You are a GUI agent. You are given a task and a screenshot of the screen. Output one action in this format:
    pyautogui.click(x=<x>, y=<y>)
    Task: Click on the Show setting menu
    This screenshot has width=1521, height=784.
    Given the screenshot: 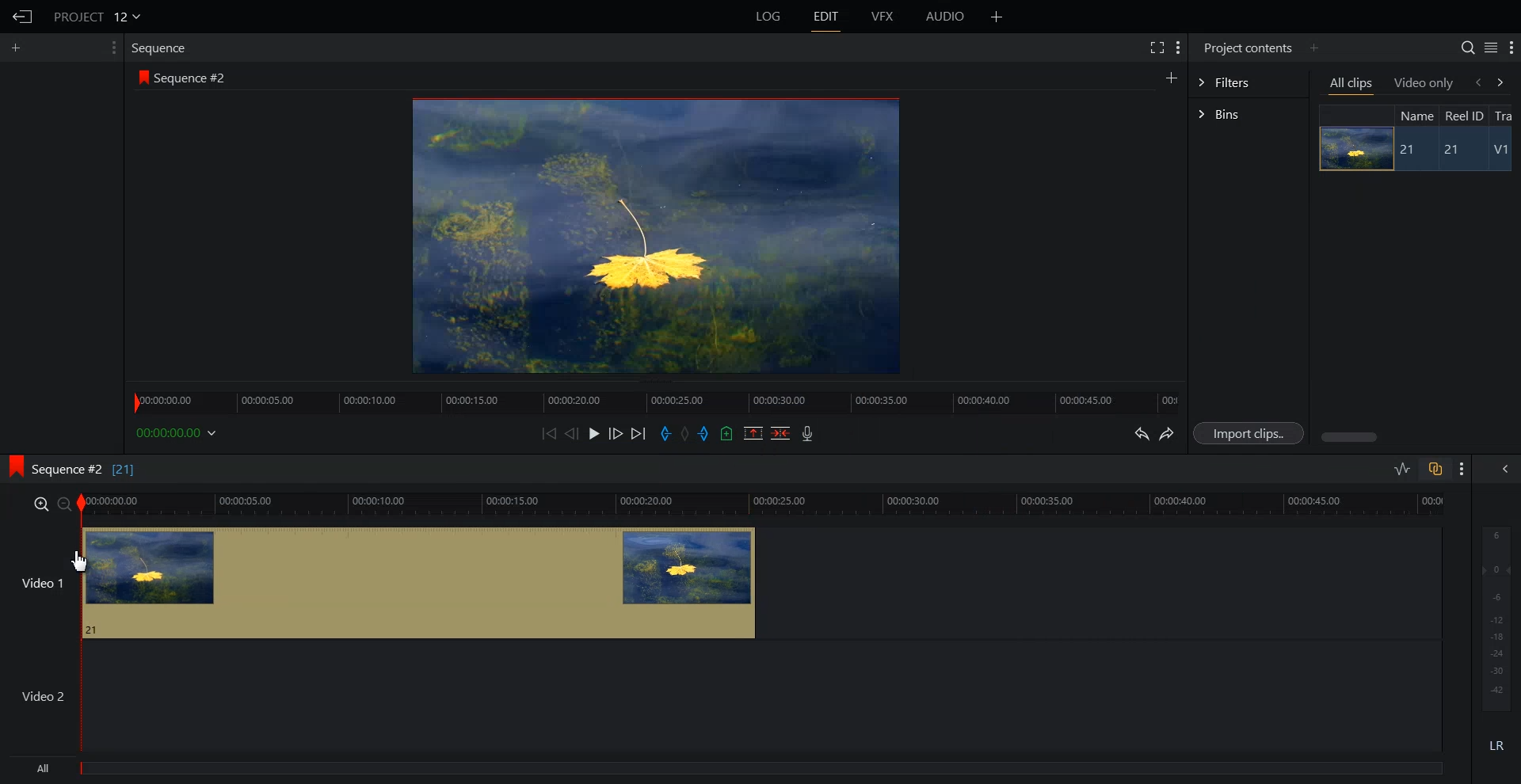 What is the action you would take?
    pyautogui.click(x=1511, y=48)
    